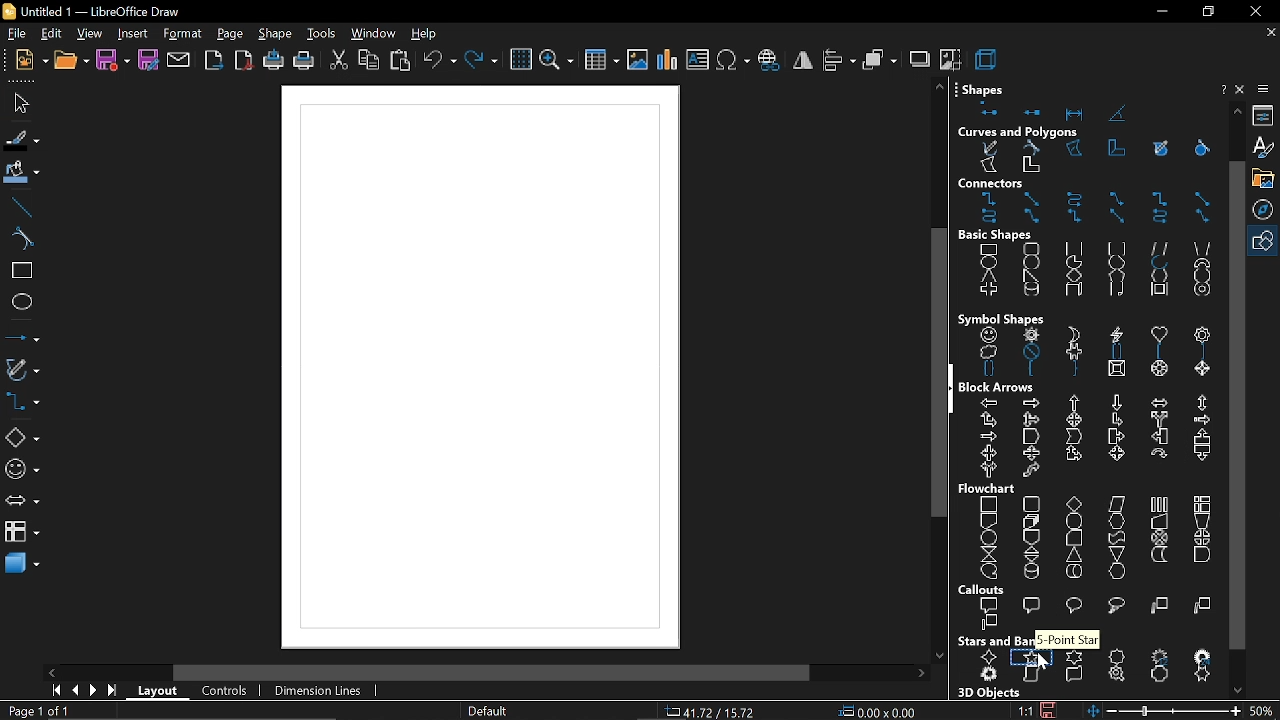 This screenshot has width=1280, height=720. I want to click on flowchart, so click(21, 530).